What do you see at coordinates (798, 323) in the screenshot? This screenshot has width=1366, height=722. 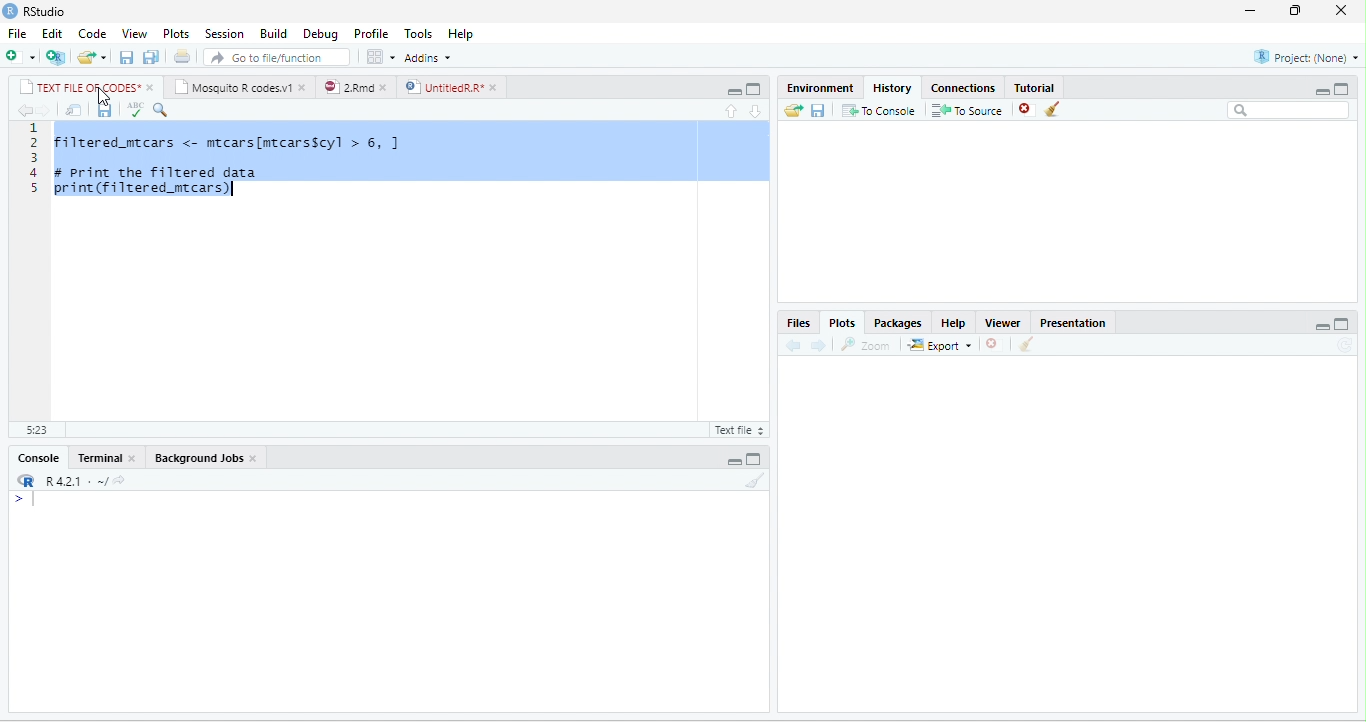 I see `Files` at bounding box center [798, 323].